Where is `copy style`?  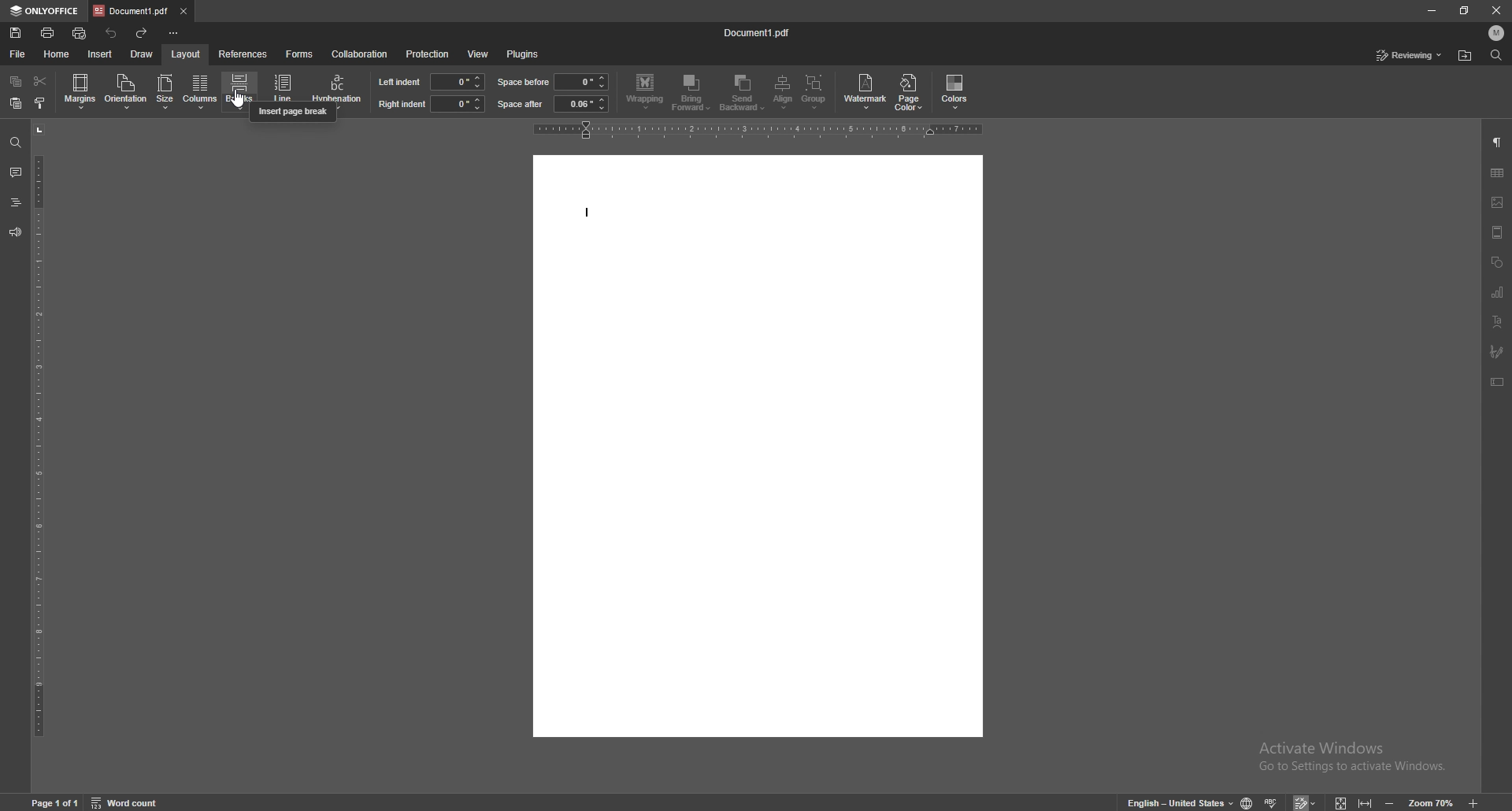 copy style is located at coordinates (40, 103).